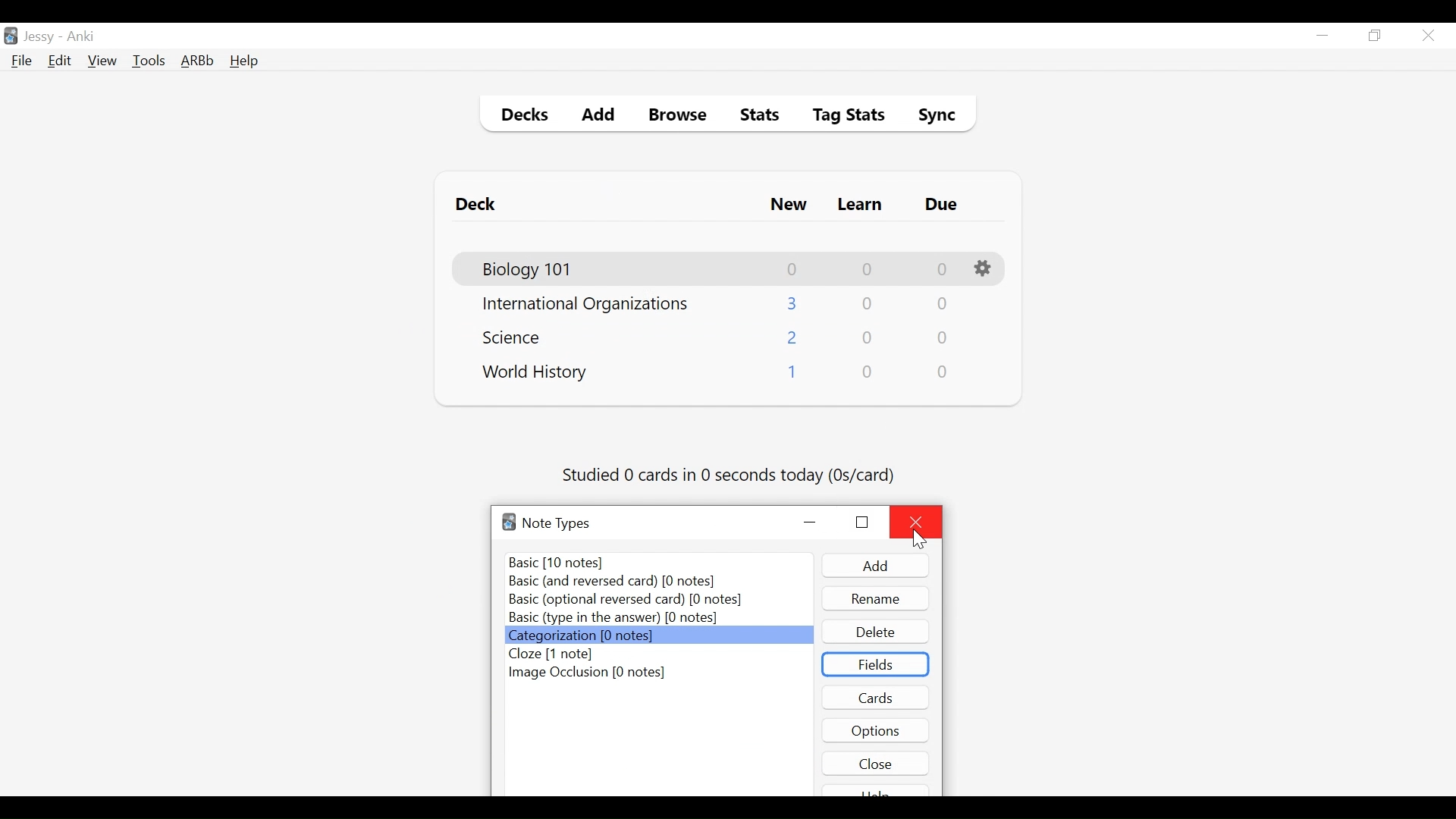 This screenshot has height=819, width=1456. I want to click on Tag Stats, so click(840, 117).